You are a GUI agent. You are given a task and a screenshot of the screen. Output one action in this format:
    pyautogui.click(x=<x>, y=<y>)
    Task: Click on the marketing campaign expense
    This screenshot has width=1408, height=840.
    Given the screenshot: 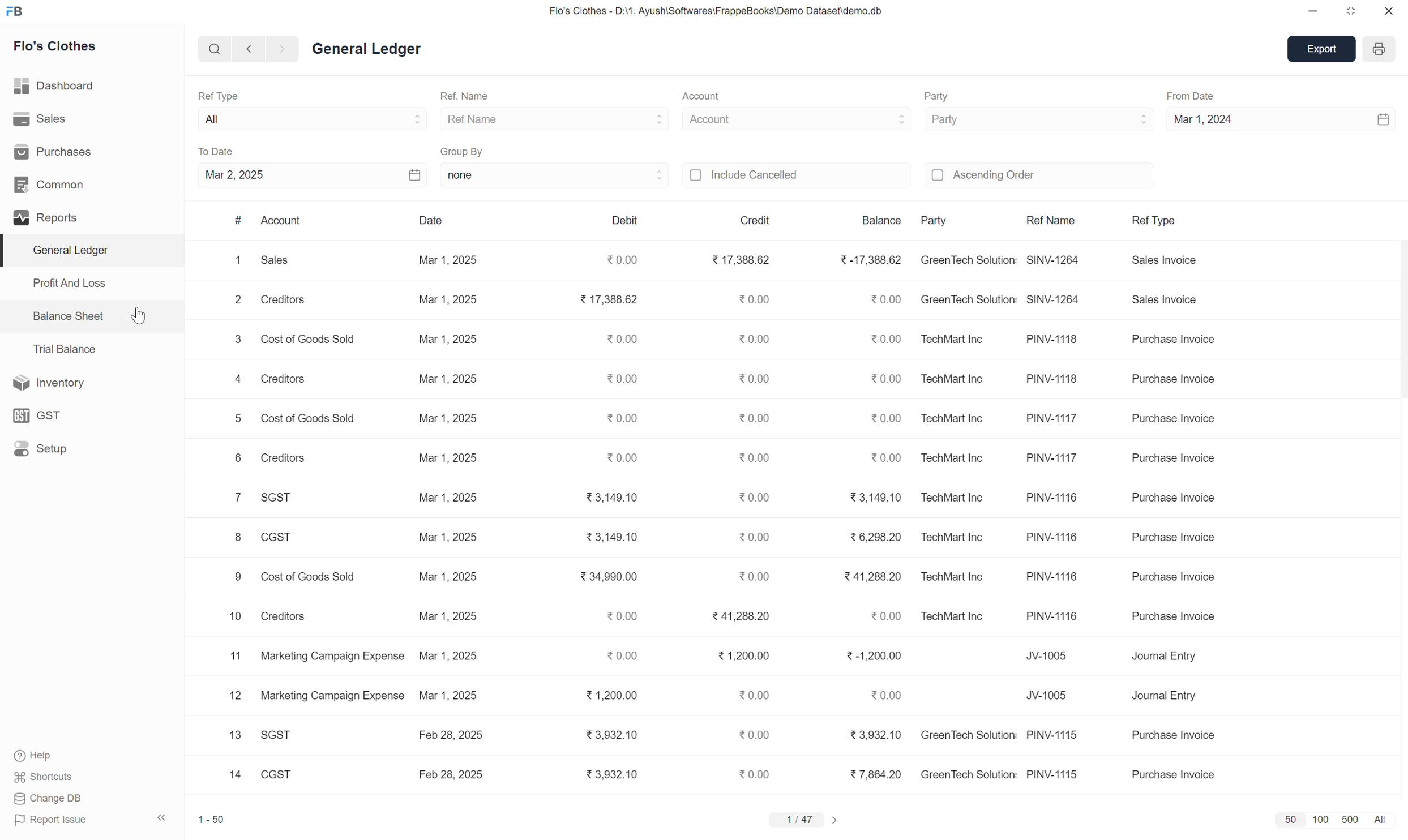 What is the action you would take?
    pyautogui.click(x=329, y=695)
    